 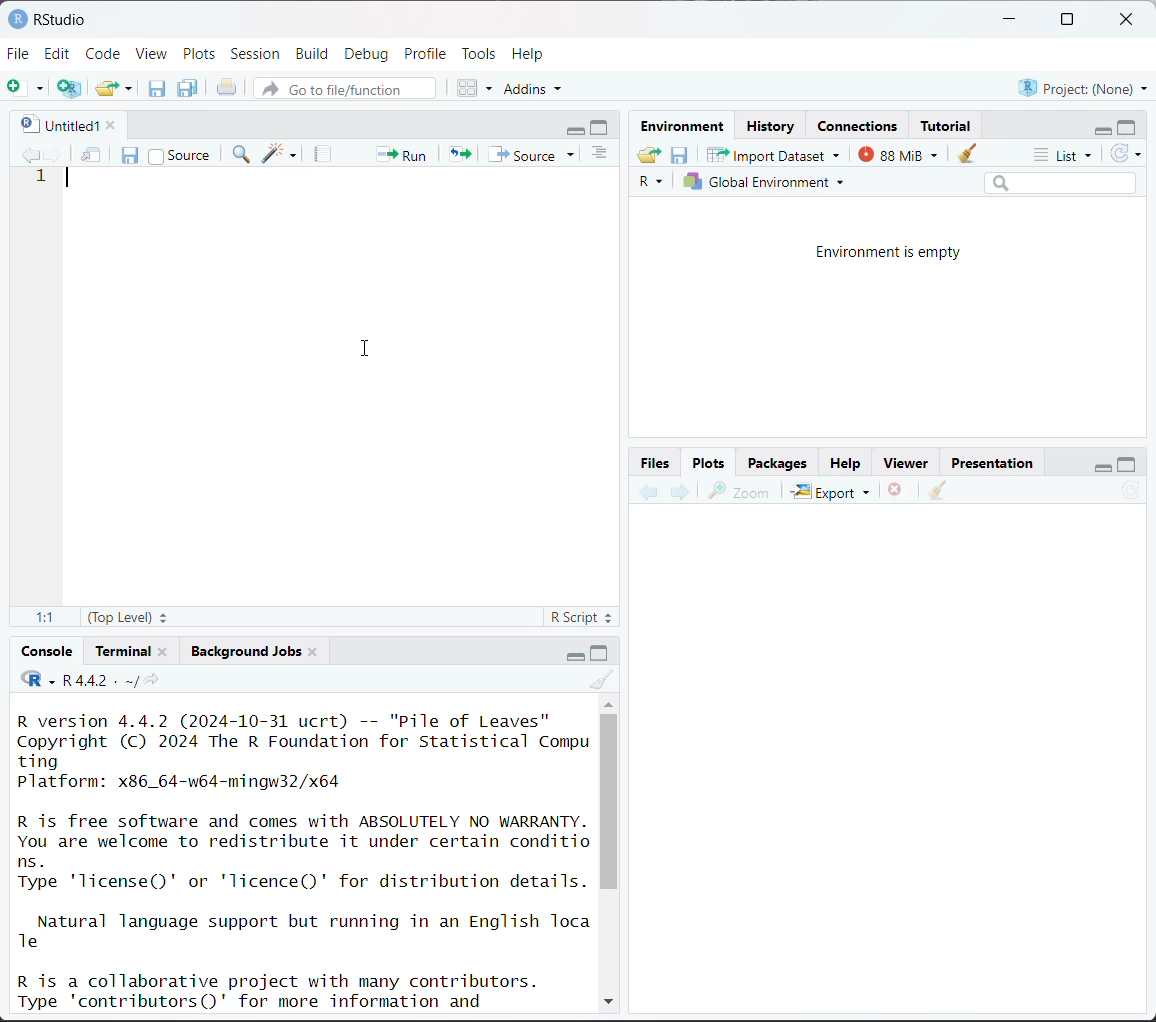 I want to click on code, so click(x=37, y=680).